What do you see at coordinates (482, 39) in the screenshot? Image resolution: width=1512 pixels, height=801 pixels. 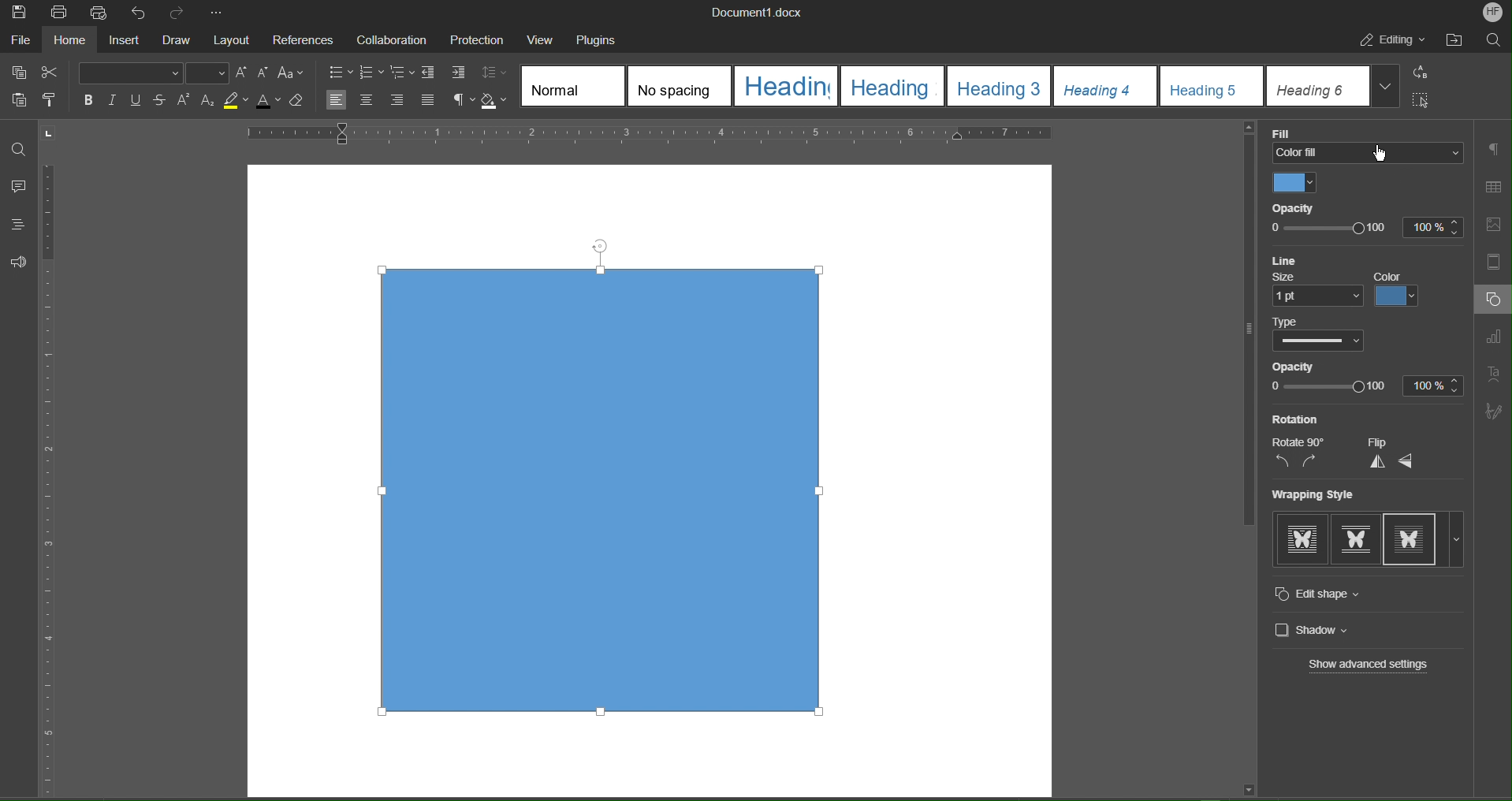 I see `` at bounding box center [482, 39].